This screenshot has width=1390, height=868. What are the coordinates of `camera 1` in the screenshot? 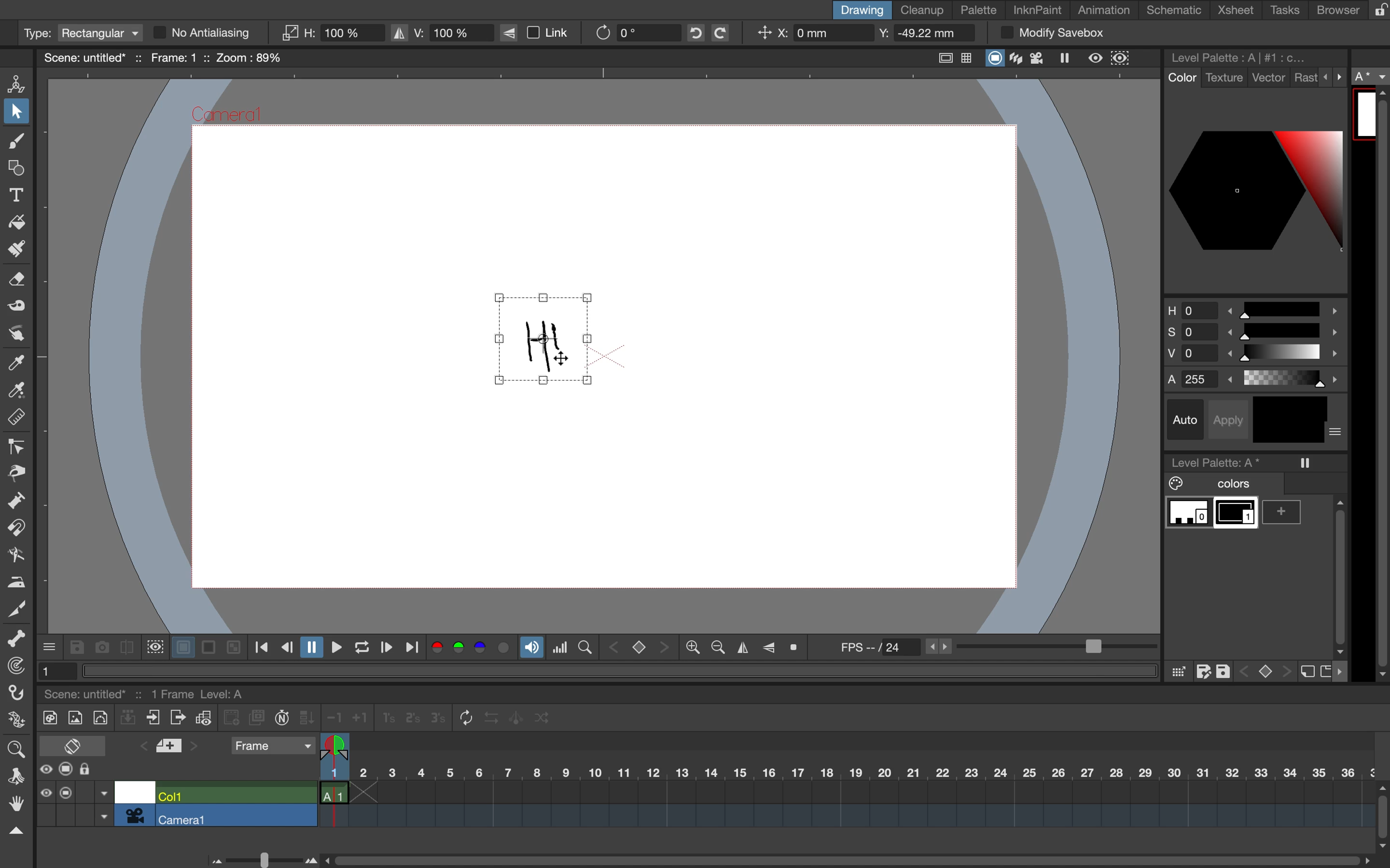 It's located at (237, 816).